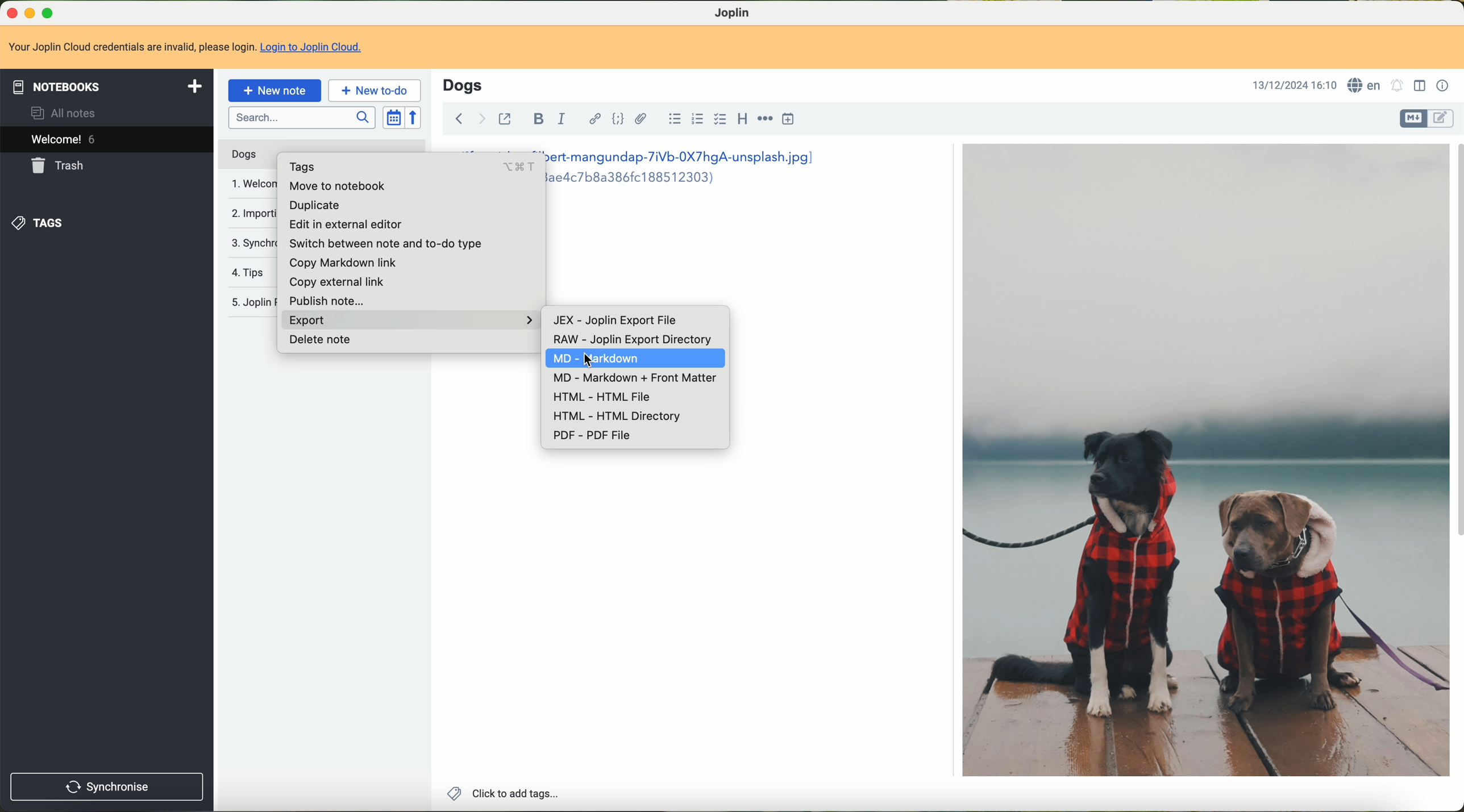 The image size is (1464, 812). I want to click on title: Dogs, so click(463, 85).